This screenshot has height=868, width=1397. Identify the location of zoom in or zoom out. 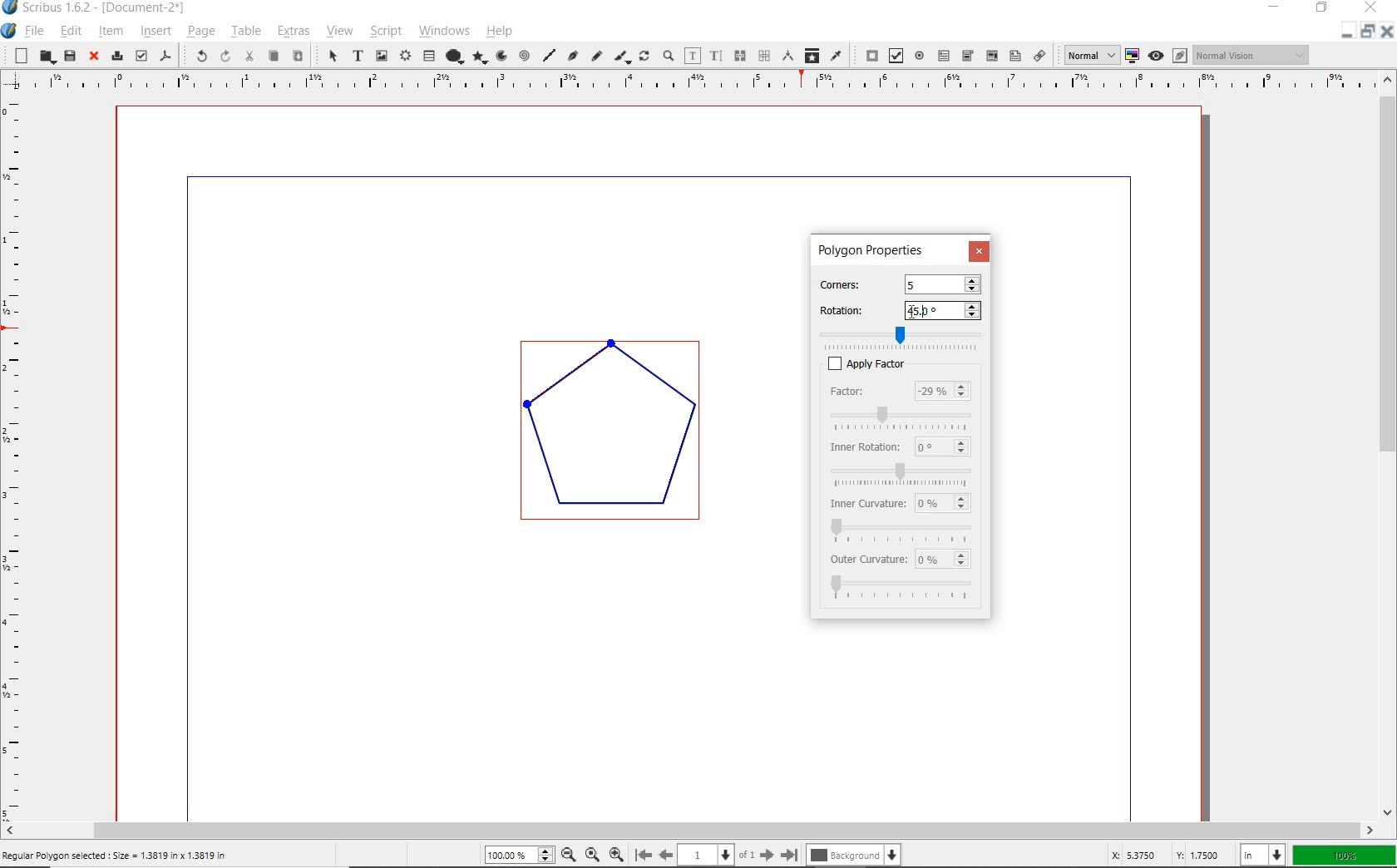
(668, 55).